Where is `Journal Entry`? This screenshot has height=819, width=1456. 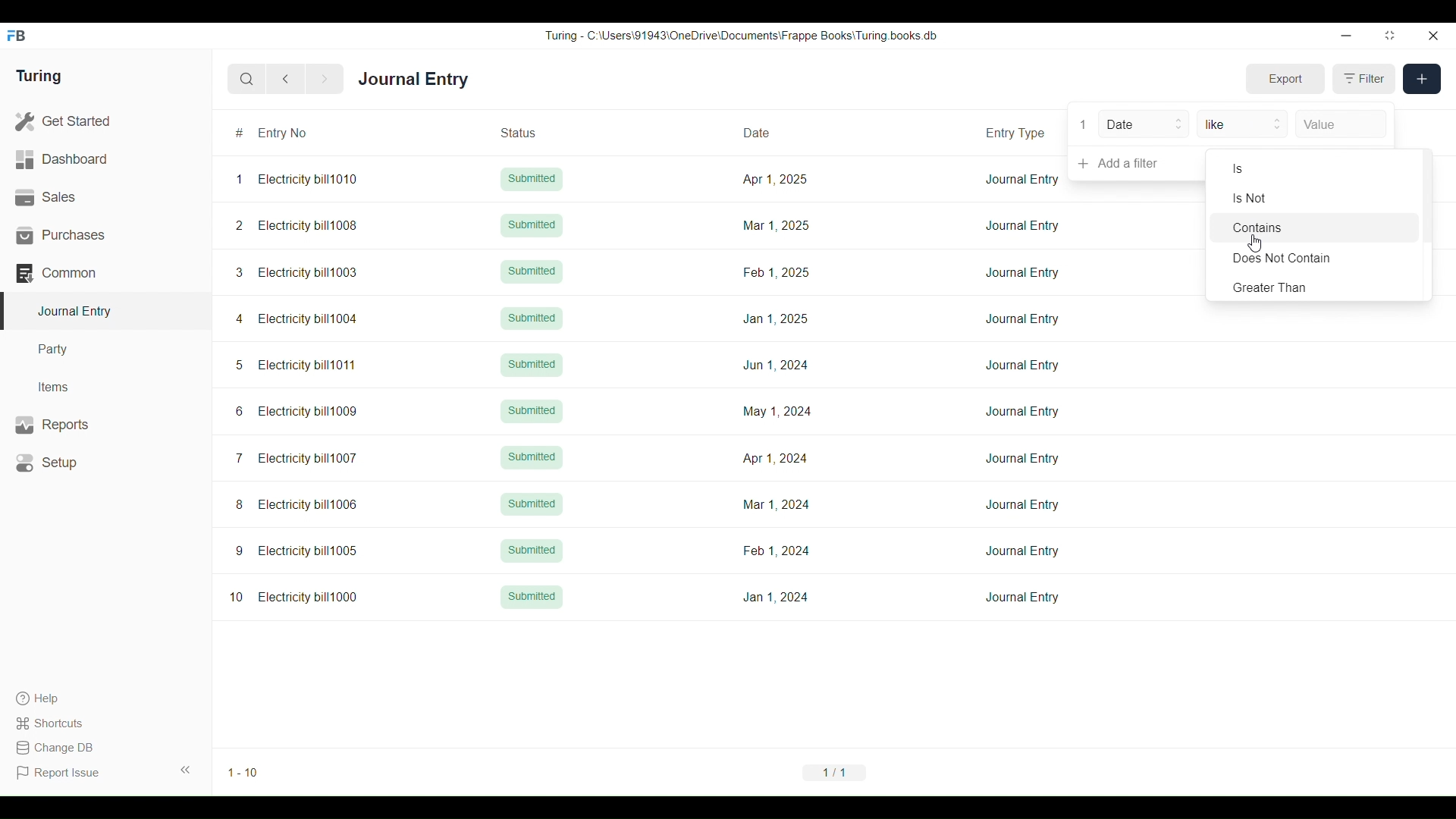
Journal Entry is located at coordinates (1022, 226).